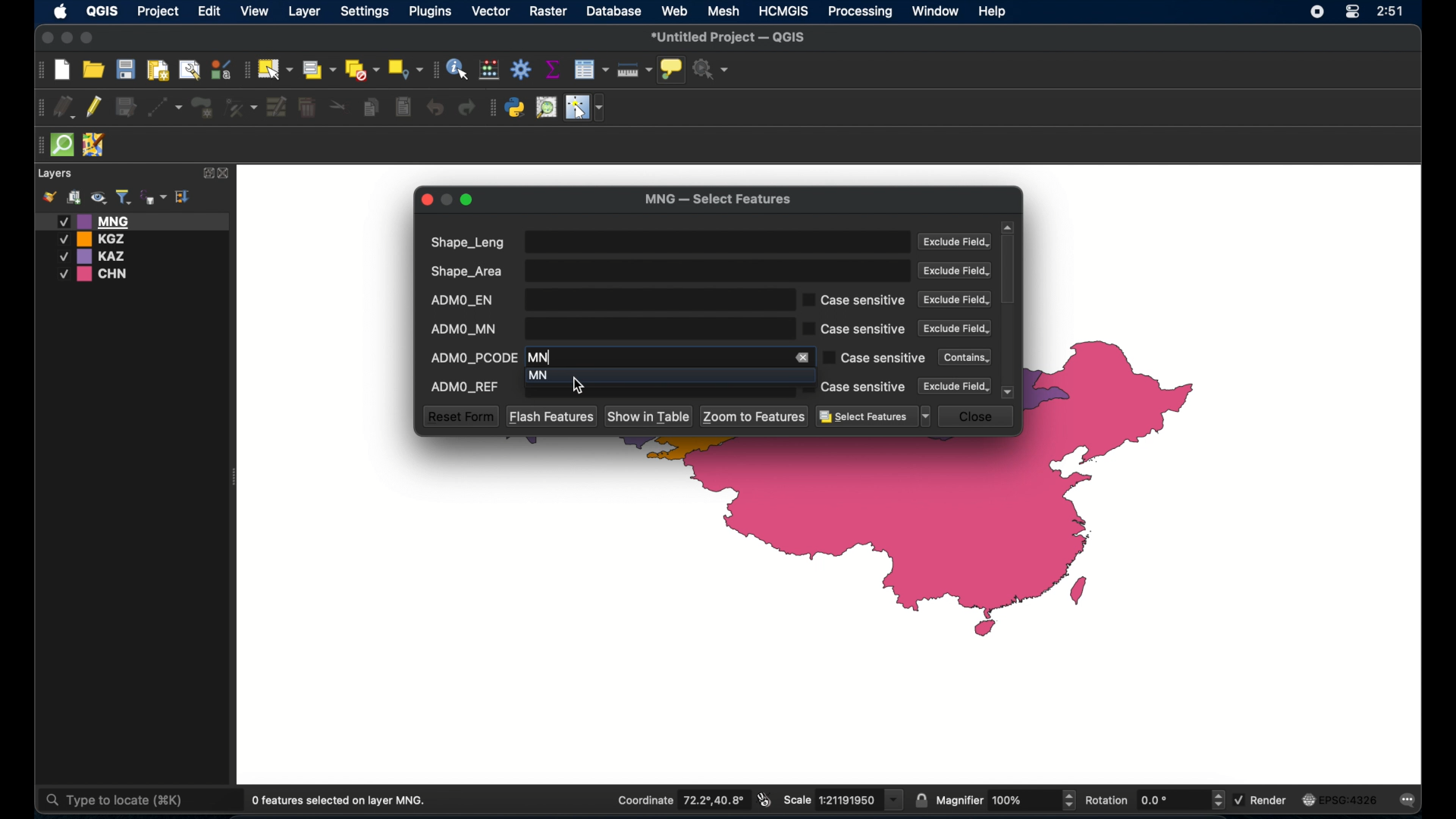 This screenshot has height=819, width=1456. What do you see at coordinates (937, 11) in the screenshot?
I see `window` at bounding box center [937, 11].